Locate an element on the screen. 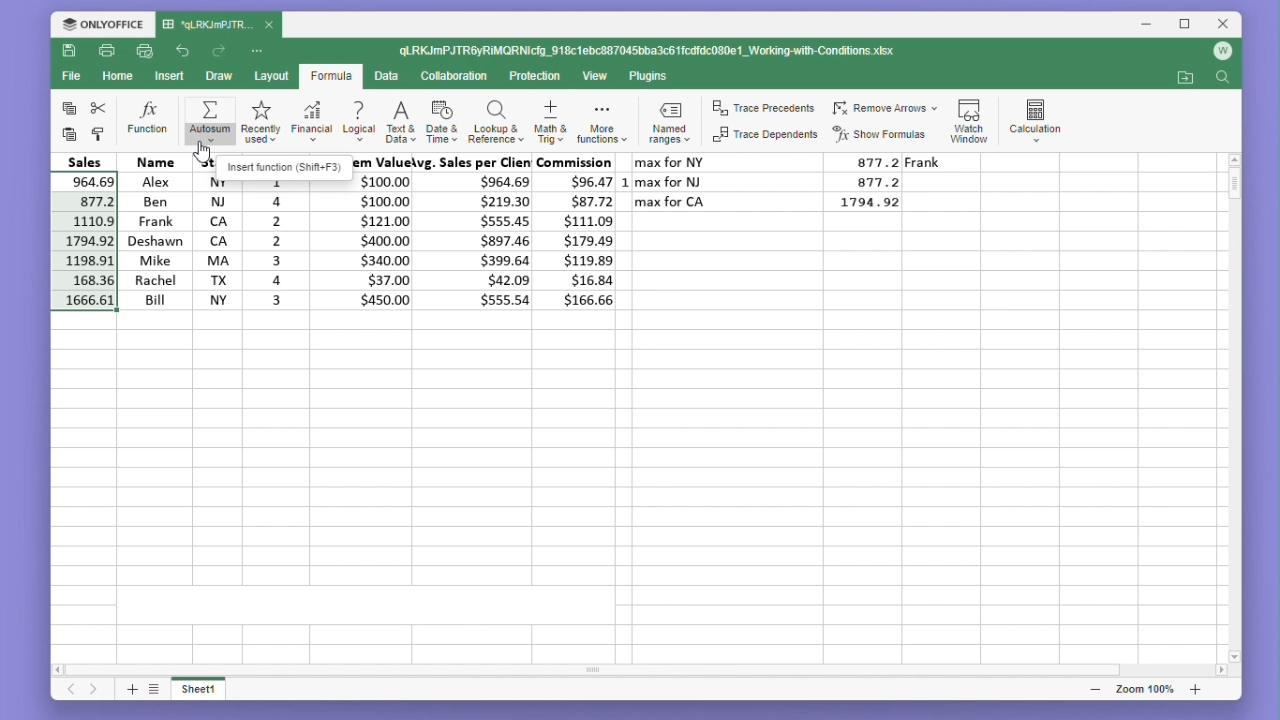 This screenshot has height=720, width=1280. Text and data is located at coordinates (399, 119).